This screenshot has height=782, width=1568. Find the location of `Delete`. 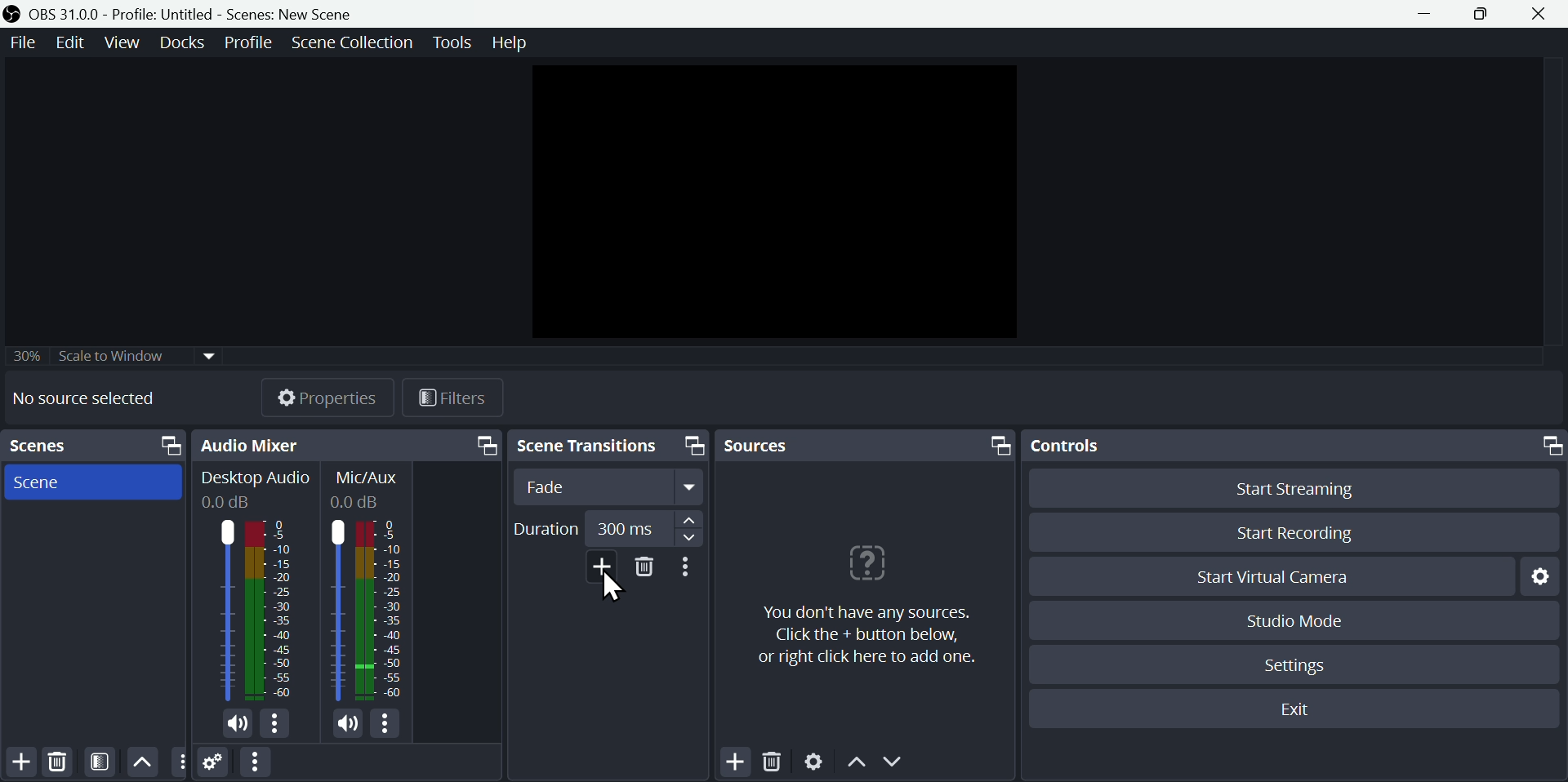

Delete is located at coordinates (653, 575).